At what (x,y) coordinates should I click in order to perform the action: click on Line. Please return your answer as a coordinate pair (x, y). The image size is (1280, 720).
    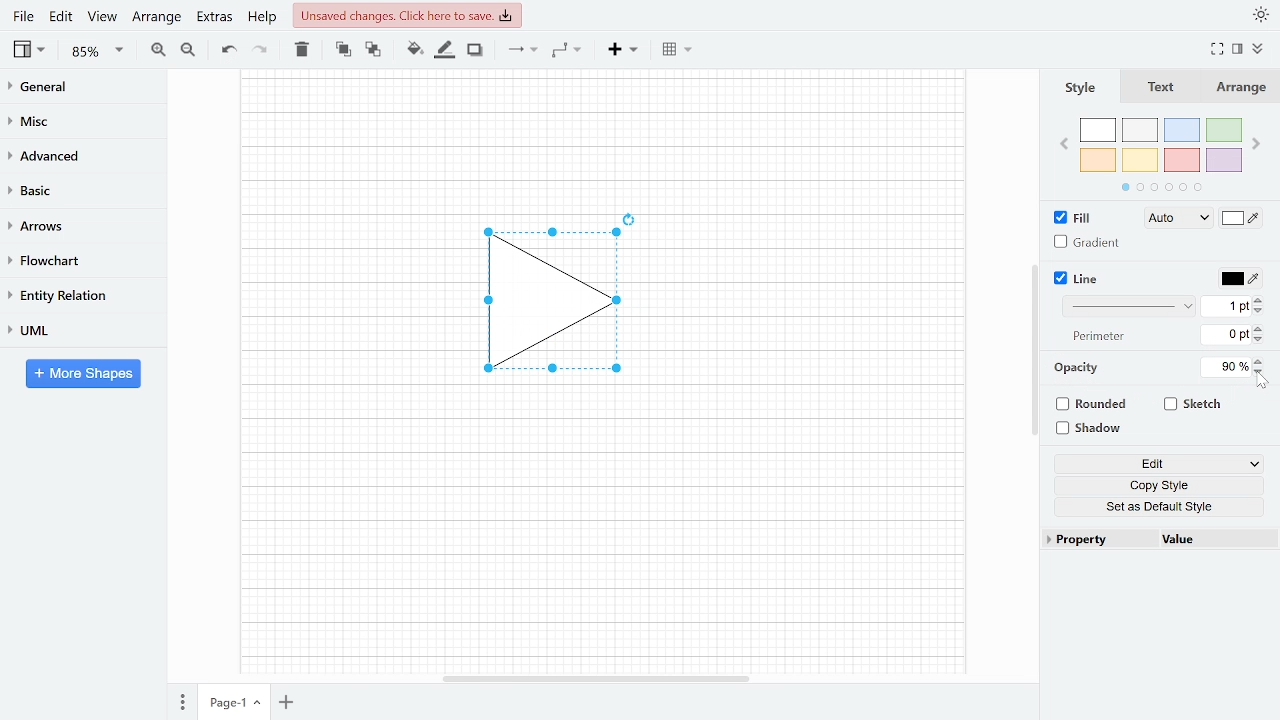
    Looking at the image, I should click on (1078, 279).